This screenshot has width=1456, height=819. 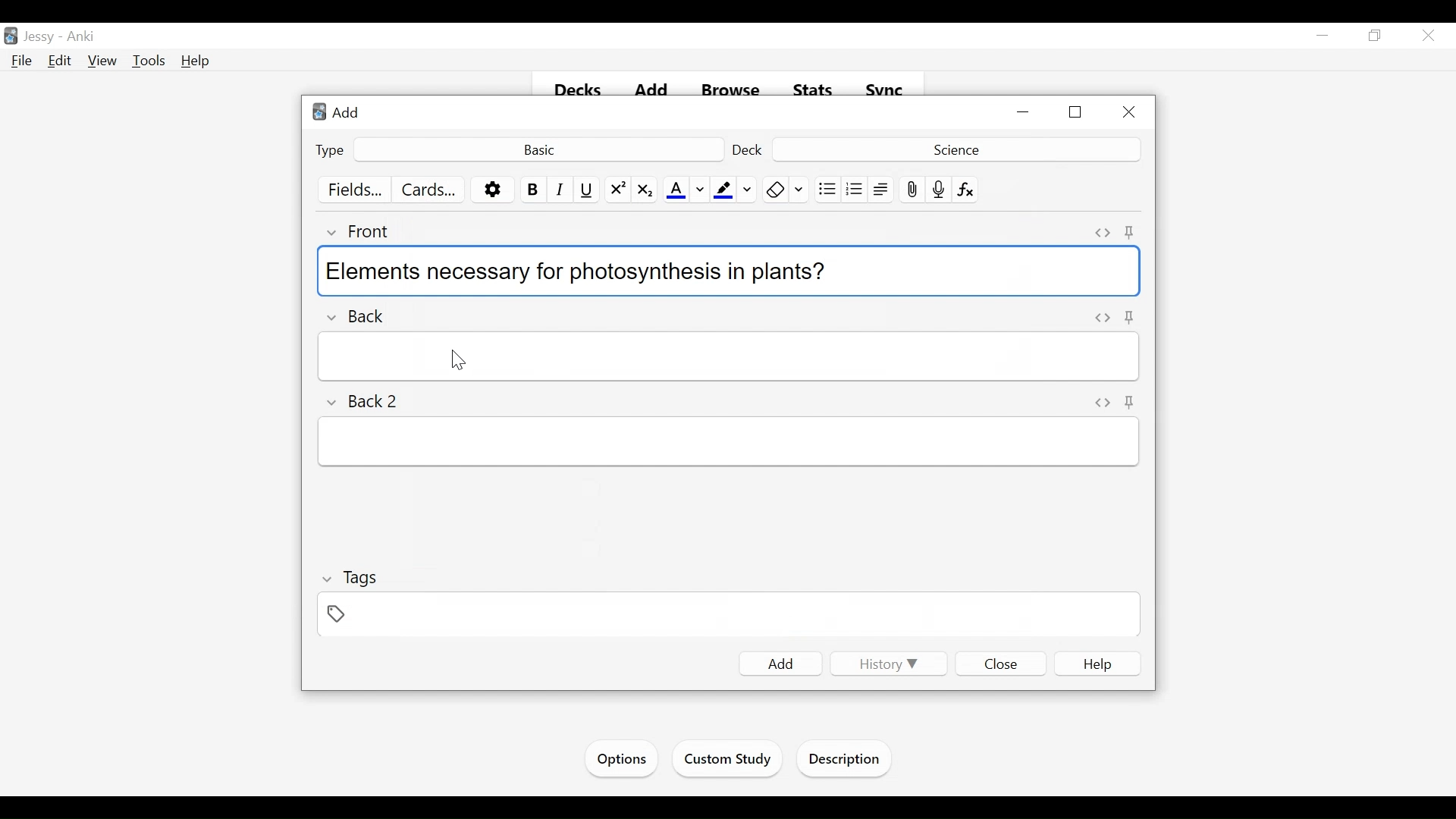 What do you see at coordinates (11, 36) in the screenshot?
I see `Anki Desktop Icon` at bounding box center [11, 36].